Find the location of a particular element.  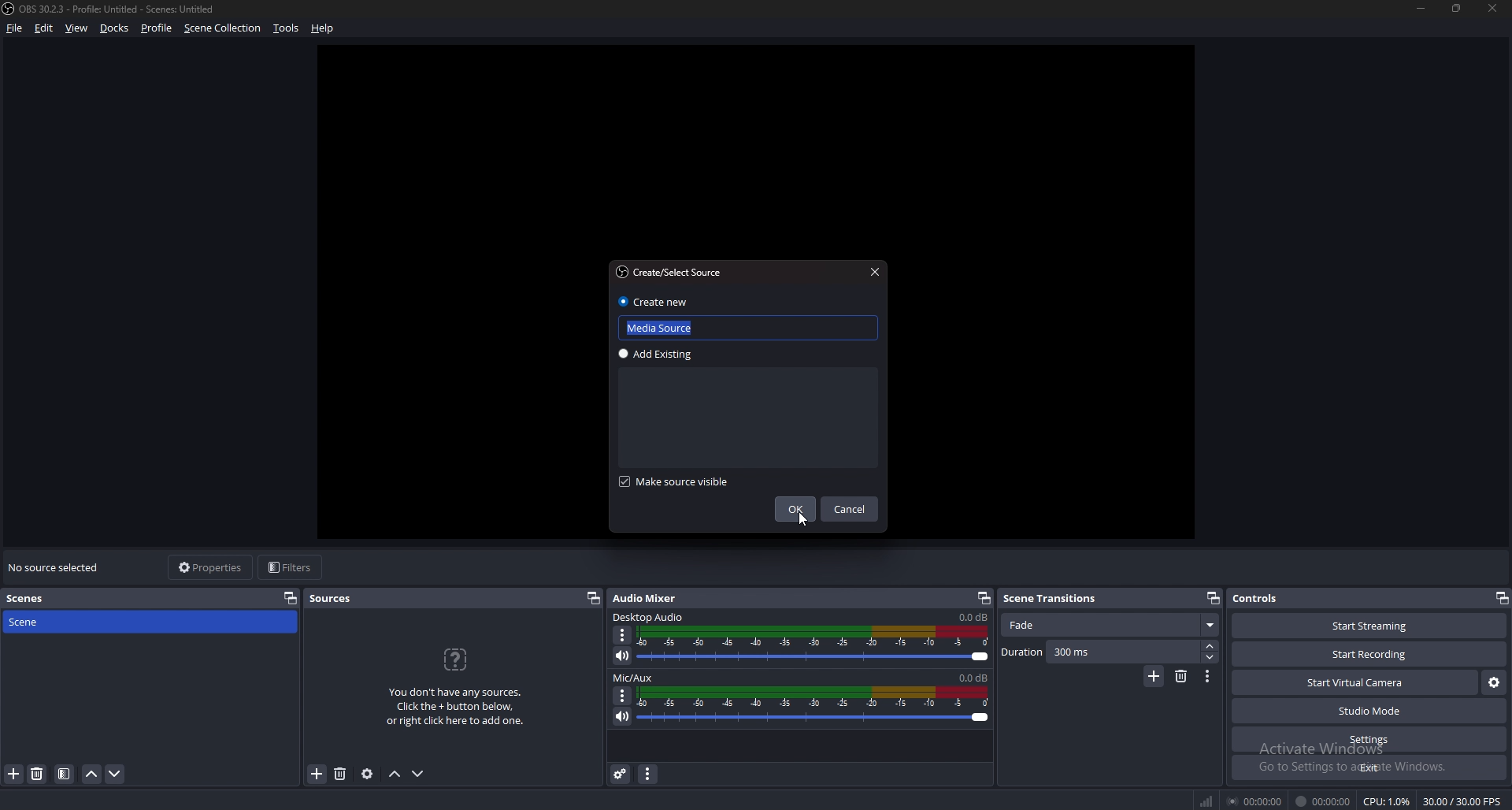

add scene is located at coordinates (15, 774).